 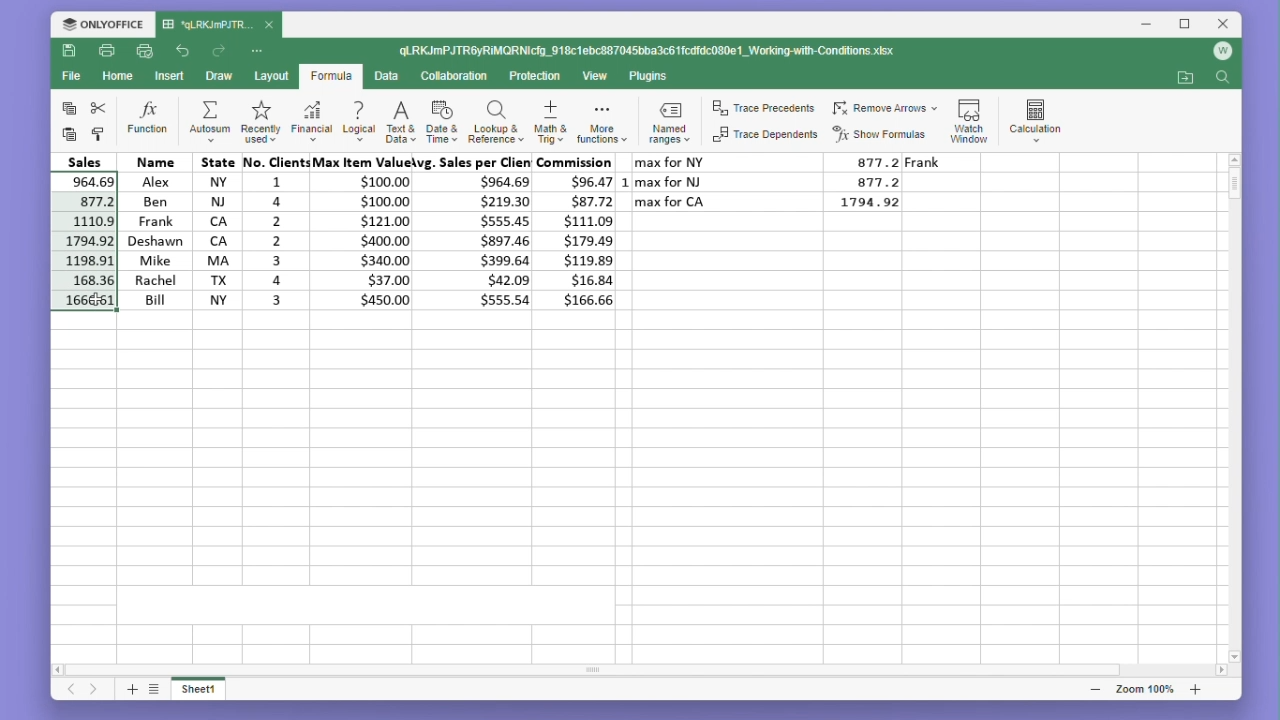 I want to click on Remove arrows, so click(x=884, y=109).